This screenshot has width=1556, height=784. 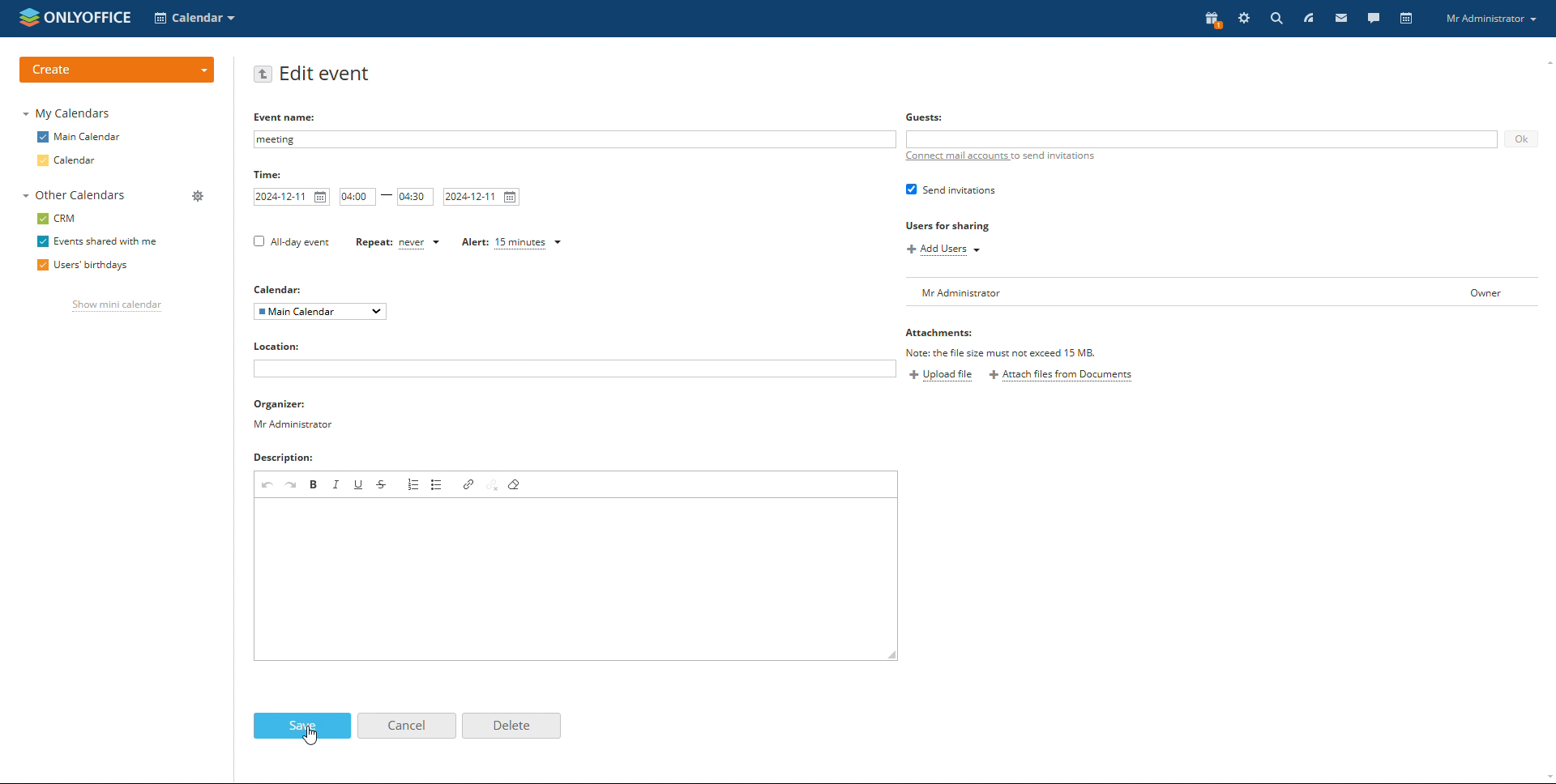 What do you see at coordinates (294, 415) in the screenshot?
I see `organizer` at bounding box center [294, 415].